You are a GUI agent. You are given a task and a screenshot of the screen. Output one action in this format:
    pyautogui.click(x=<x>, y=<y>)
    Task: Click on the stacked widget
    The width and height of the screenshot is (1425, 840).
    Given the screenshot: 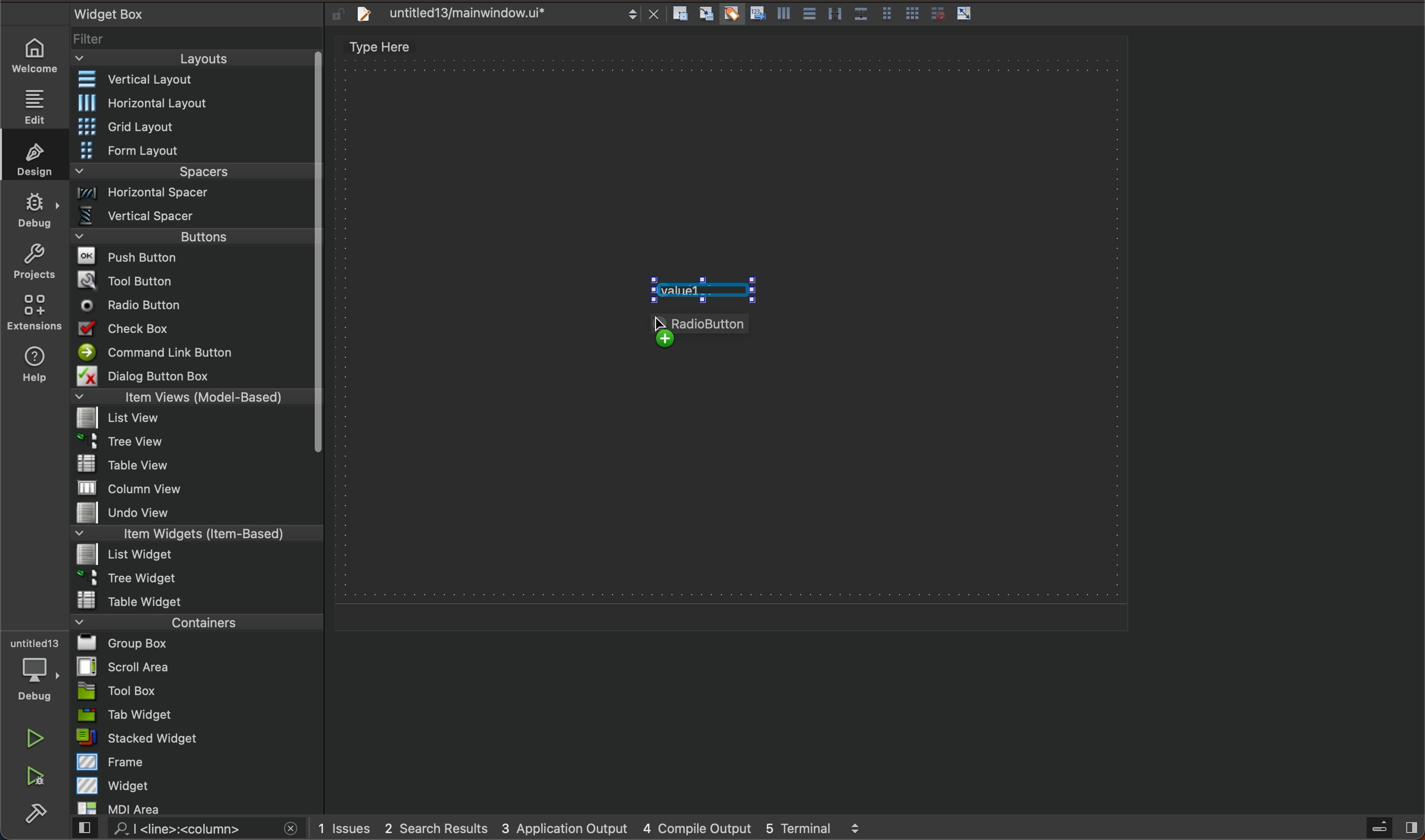 What is the action you would take?
    pyautogui.click(x=198, y=738)
    